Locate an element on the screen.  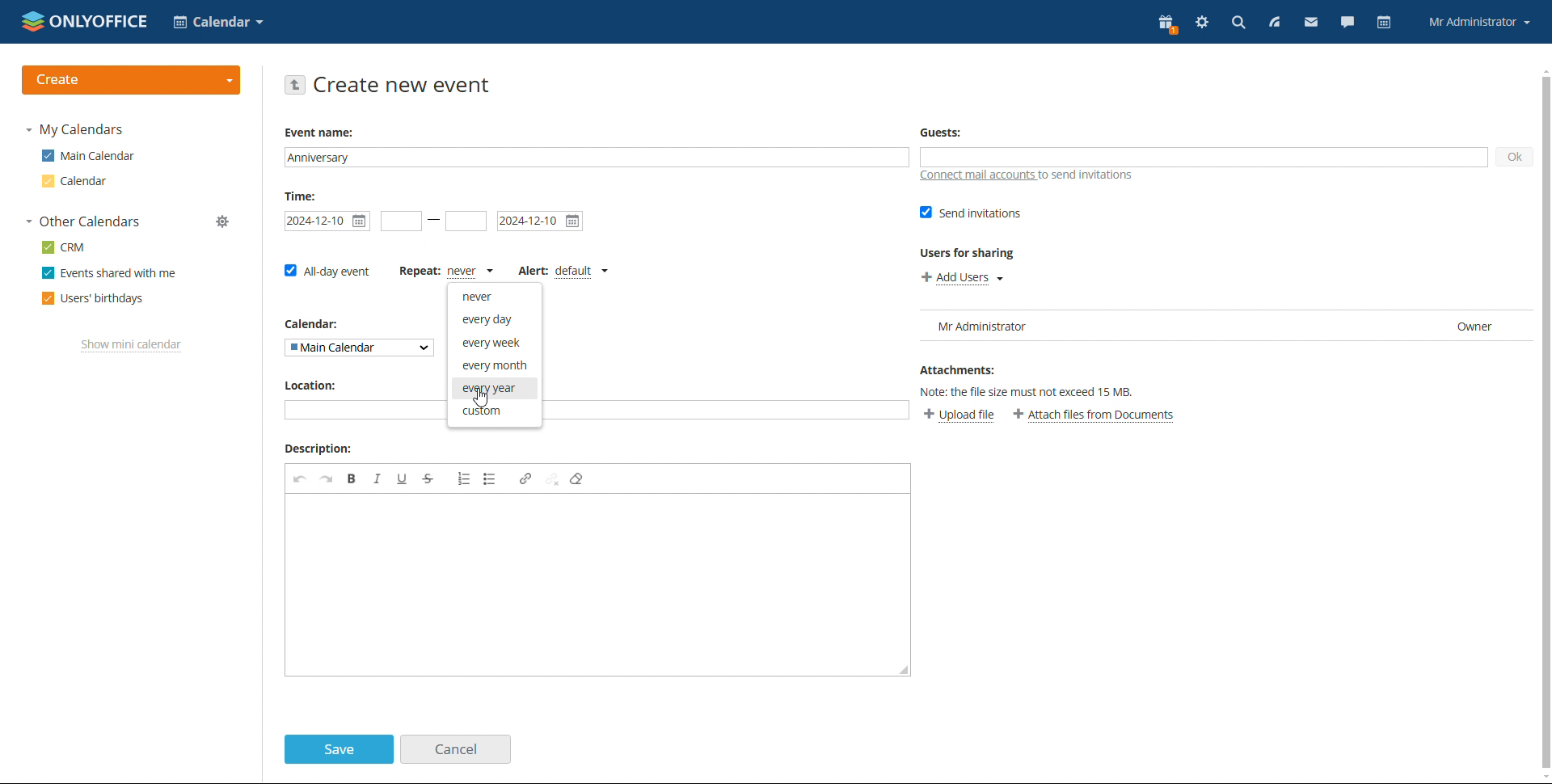
connect mail accounts is located at coordinates (1027, 176).